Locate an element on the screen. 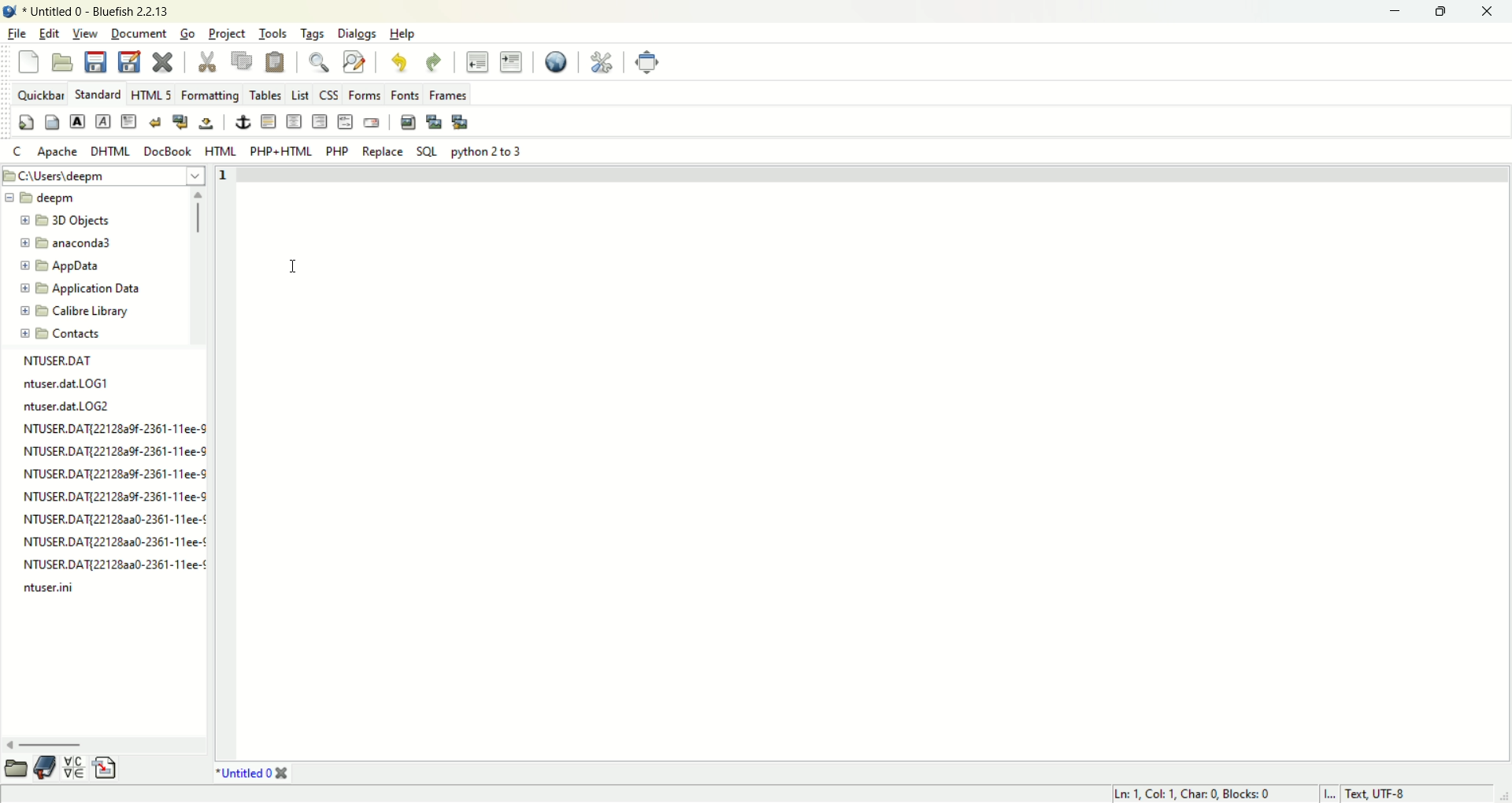  paste is located at coordinates (275, 61).